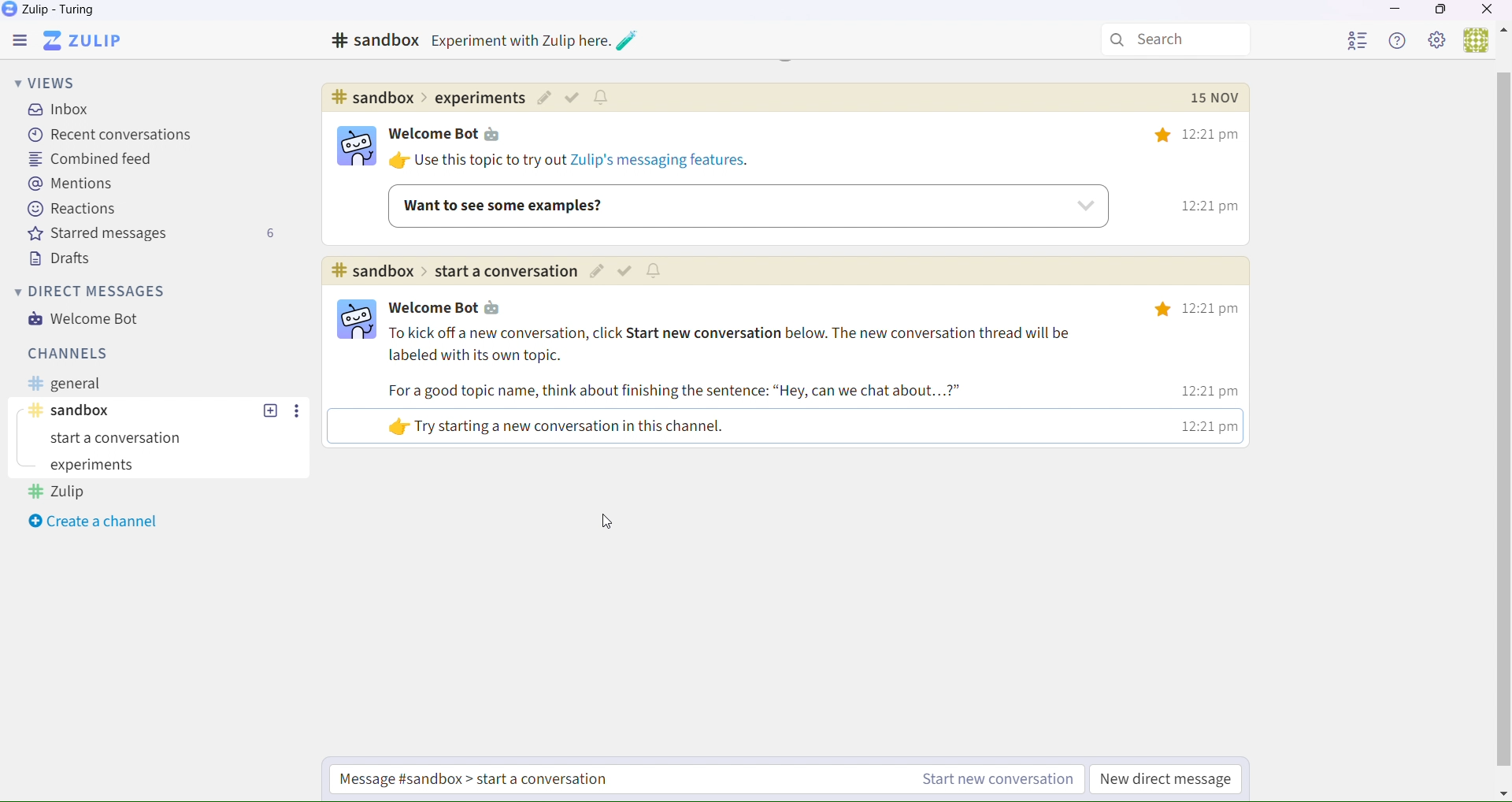 Image resolution: width=1512 pixels, height=802 pixels. I want to click on To kick off a new conversation, click Start new conversation below. The new conversation thread will be
labeled with its own topic., so click(742, 344).